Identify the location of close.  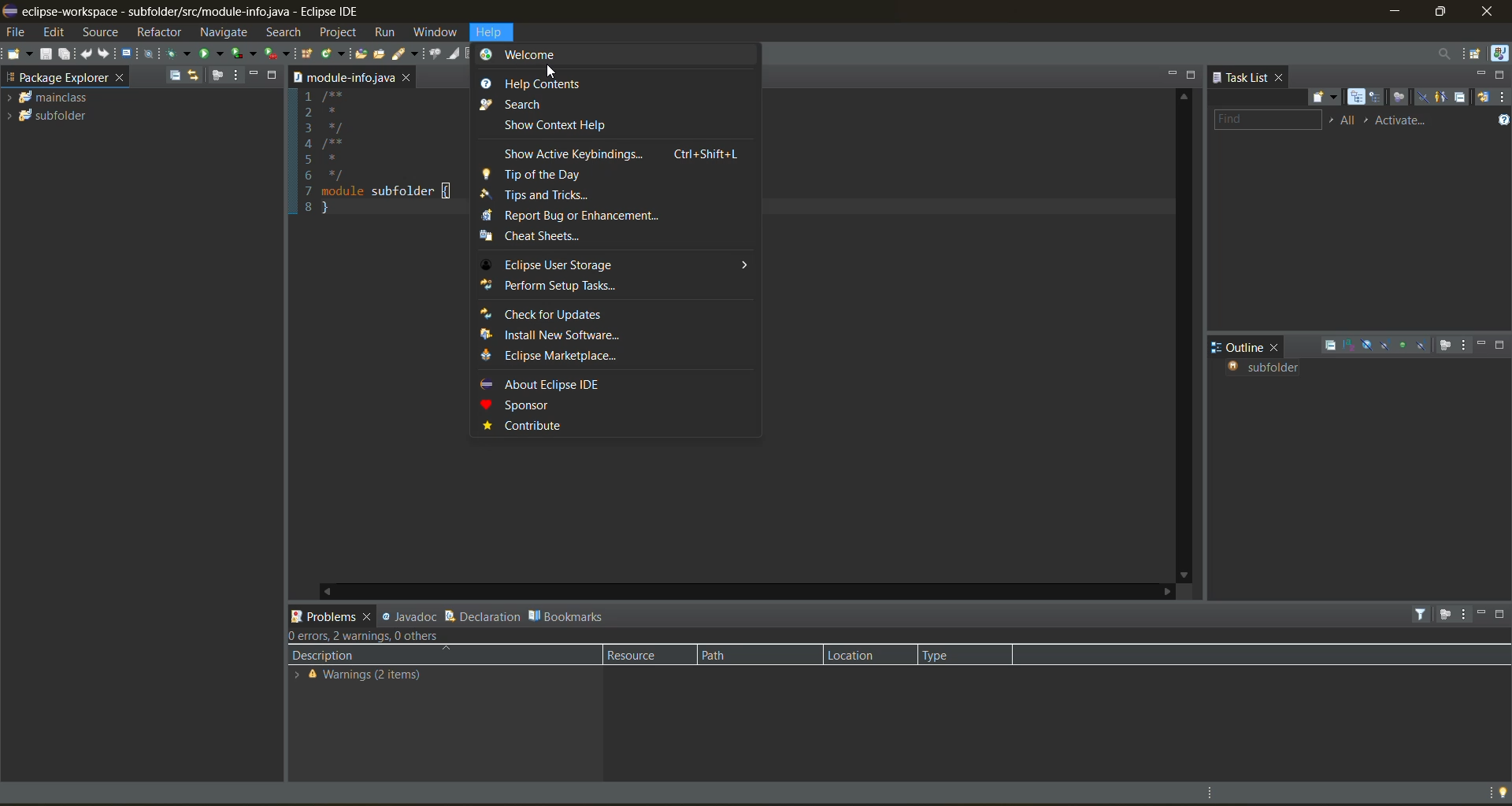
(1489, 11).